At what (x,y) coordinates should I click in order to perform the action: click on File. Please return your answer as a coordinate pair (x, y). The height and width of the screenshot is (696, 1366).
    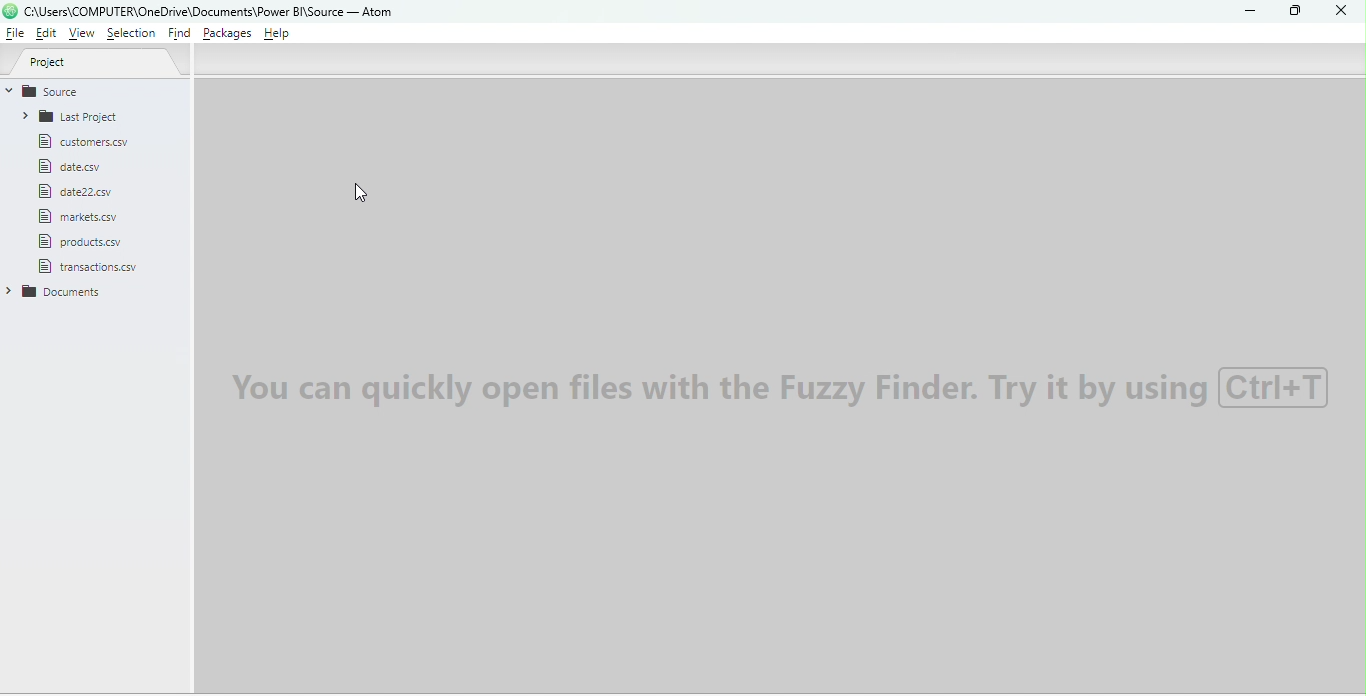
    Looking at the image, I should click on (91, 266).